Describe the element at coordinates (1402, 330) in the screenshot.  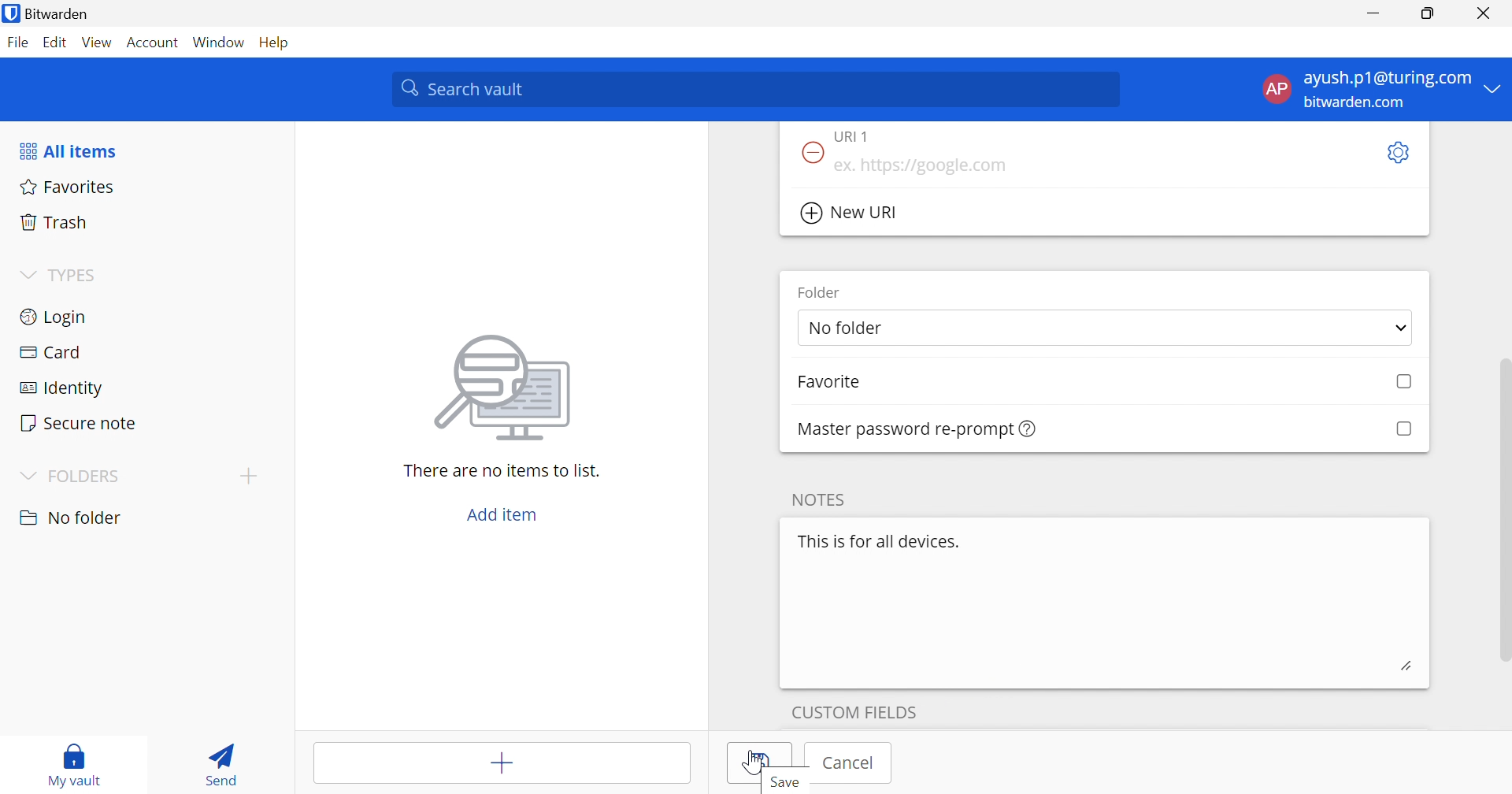
I see `Drop Down` at that location.